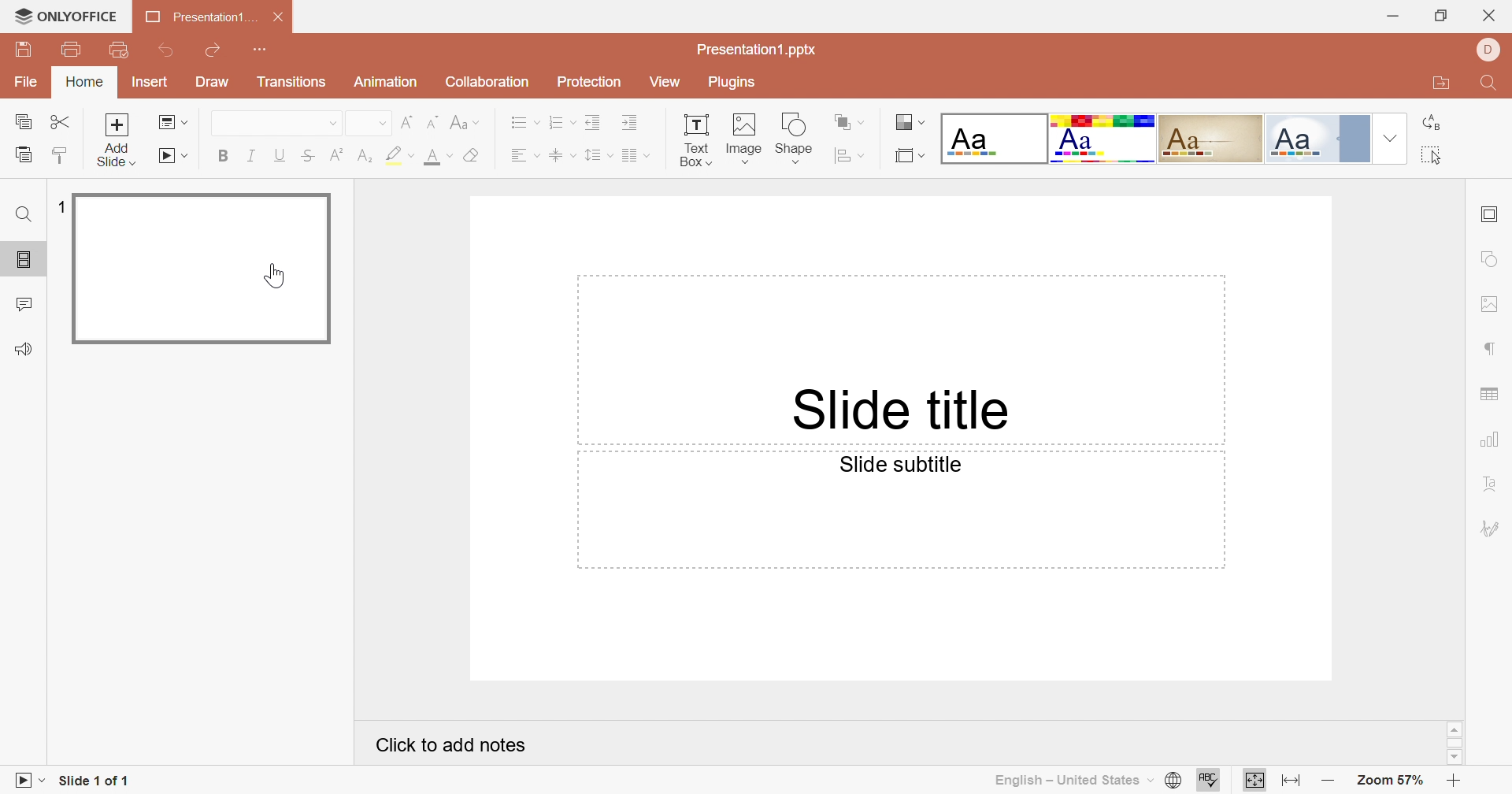 Image resolution: width=1512 pixels, height=794 pixels. What do you see at coordinates (794, 138) in the screenshot?
I see `Shape` at bounding box center [794, 138].